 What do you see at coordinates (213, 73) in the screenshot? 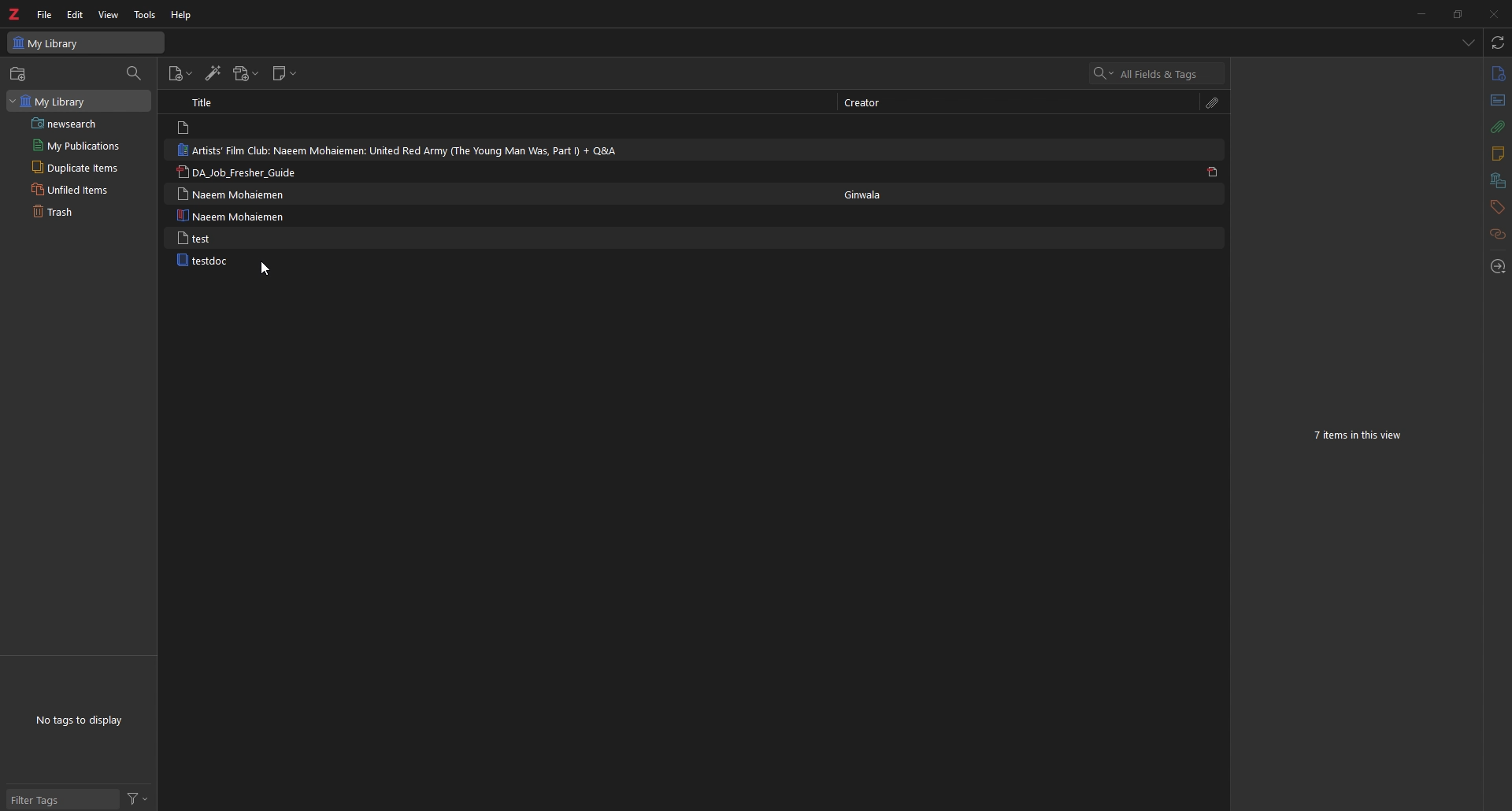
I see `add items by identifier` at bounding box center [213, 73].